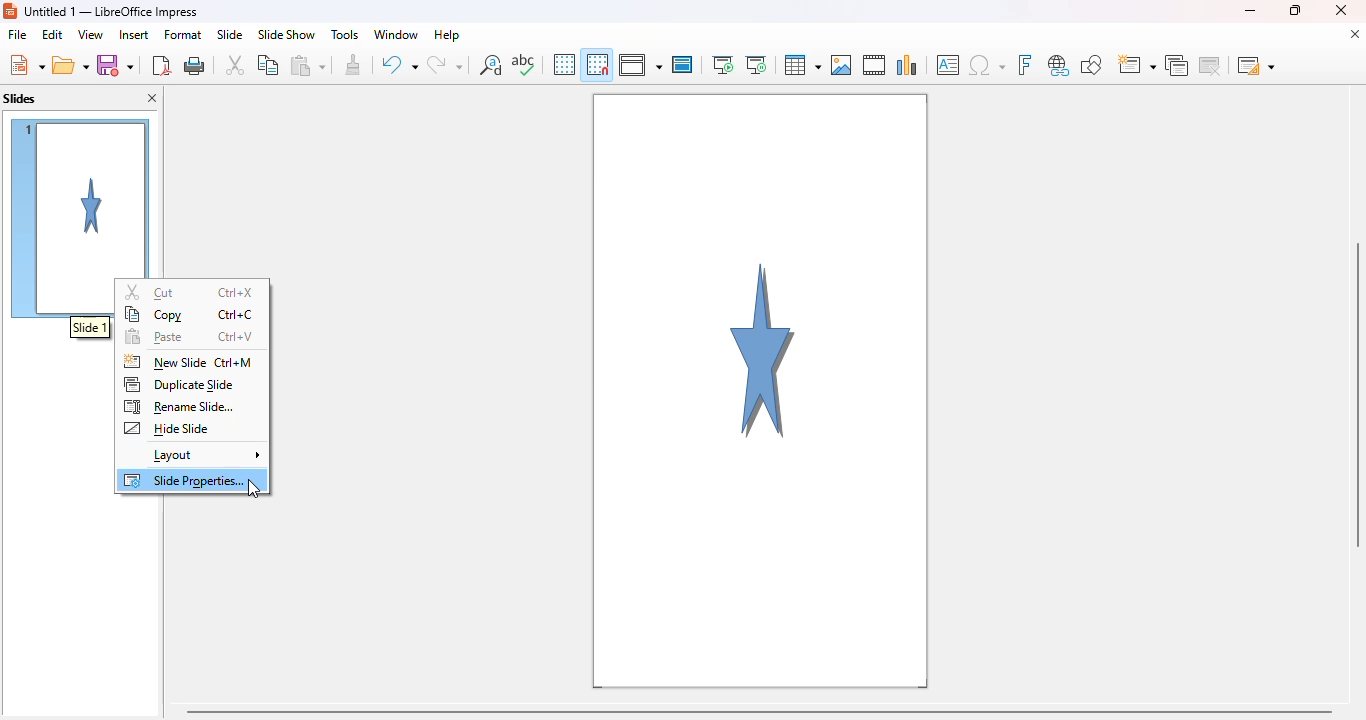 The width and height of the screenshot is (1366, 720). I want to click on cut, so click(149, 292).